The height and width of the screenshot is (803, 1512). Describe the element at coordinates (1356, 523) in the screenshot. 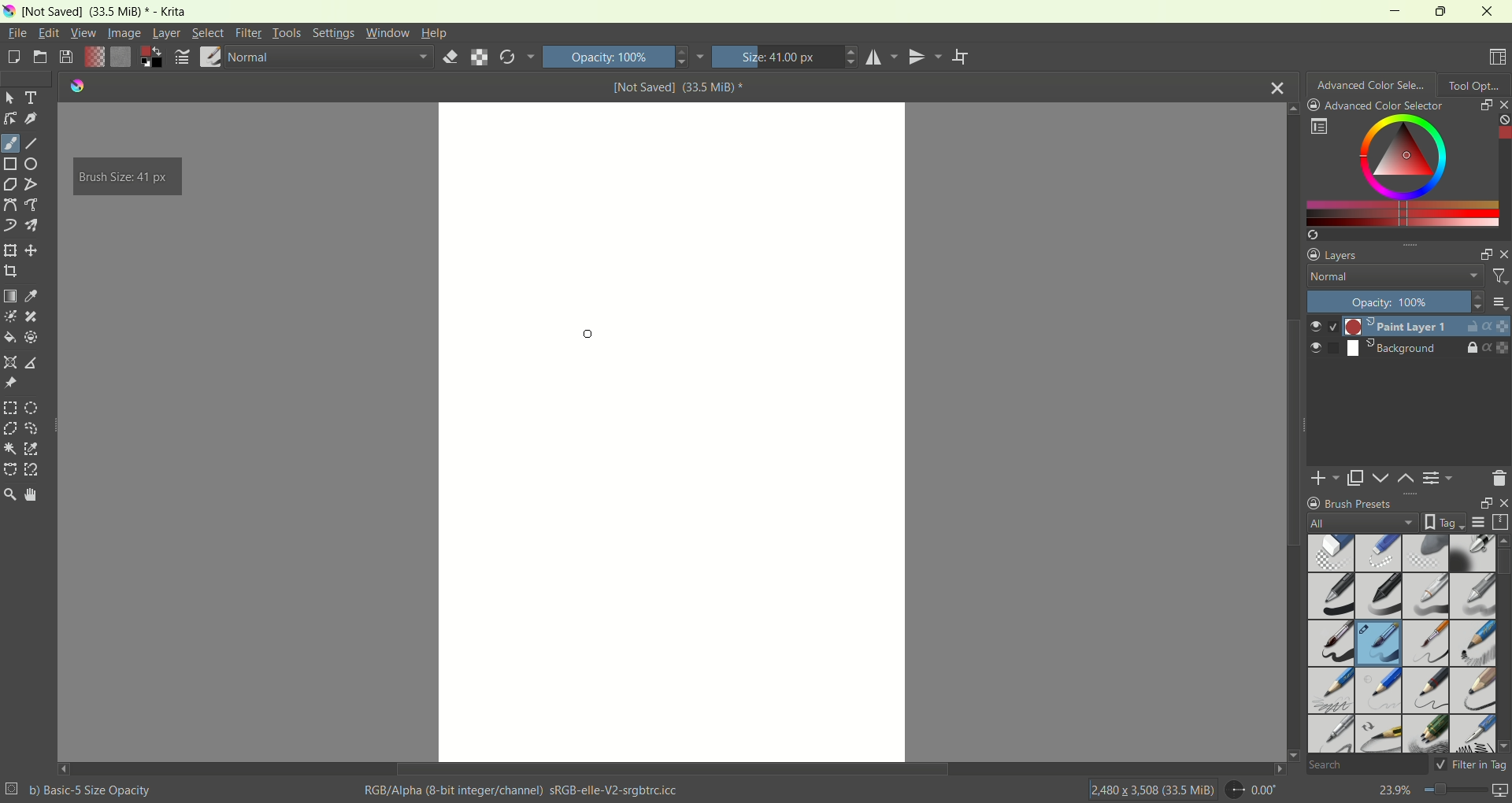

I see `all` at that location.